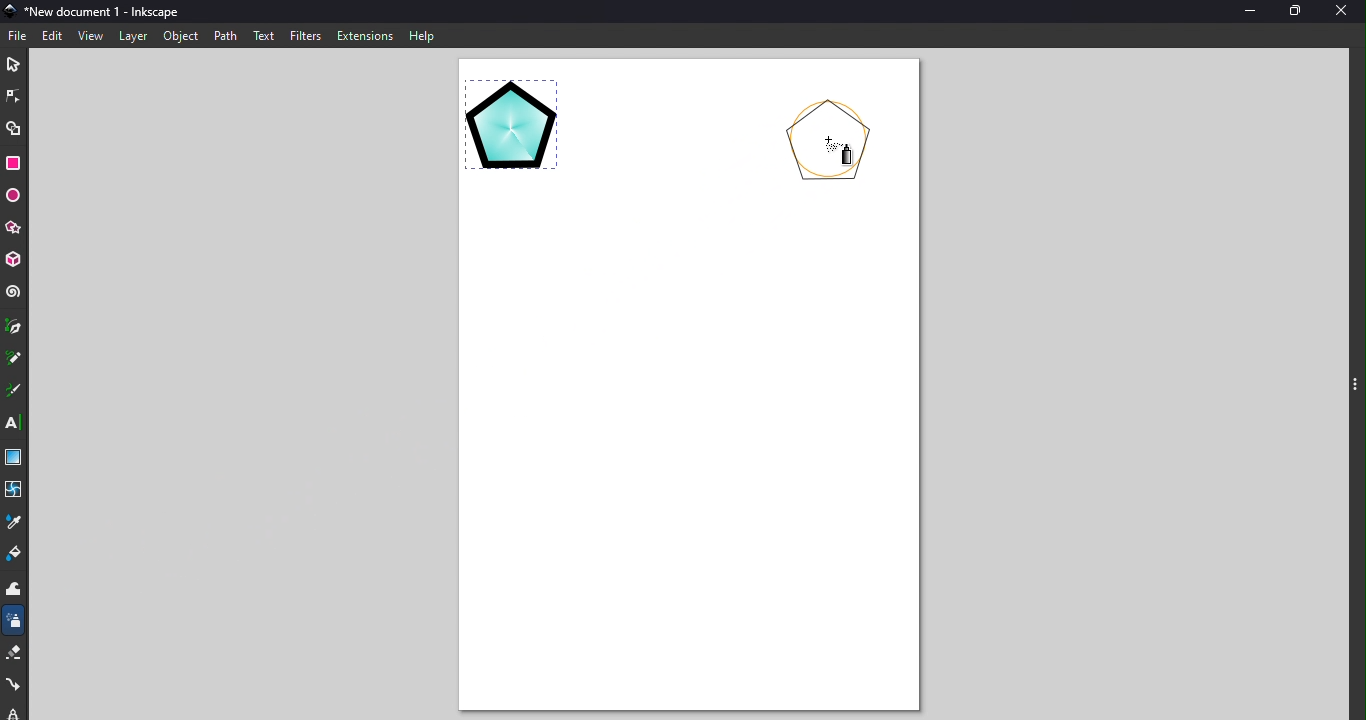  What do you see at coordinates (13, 328) in the screenshot?
I see `Pen tool` at bounding box center [13, 328].